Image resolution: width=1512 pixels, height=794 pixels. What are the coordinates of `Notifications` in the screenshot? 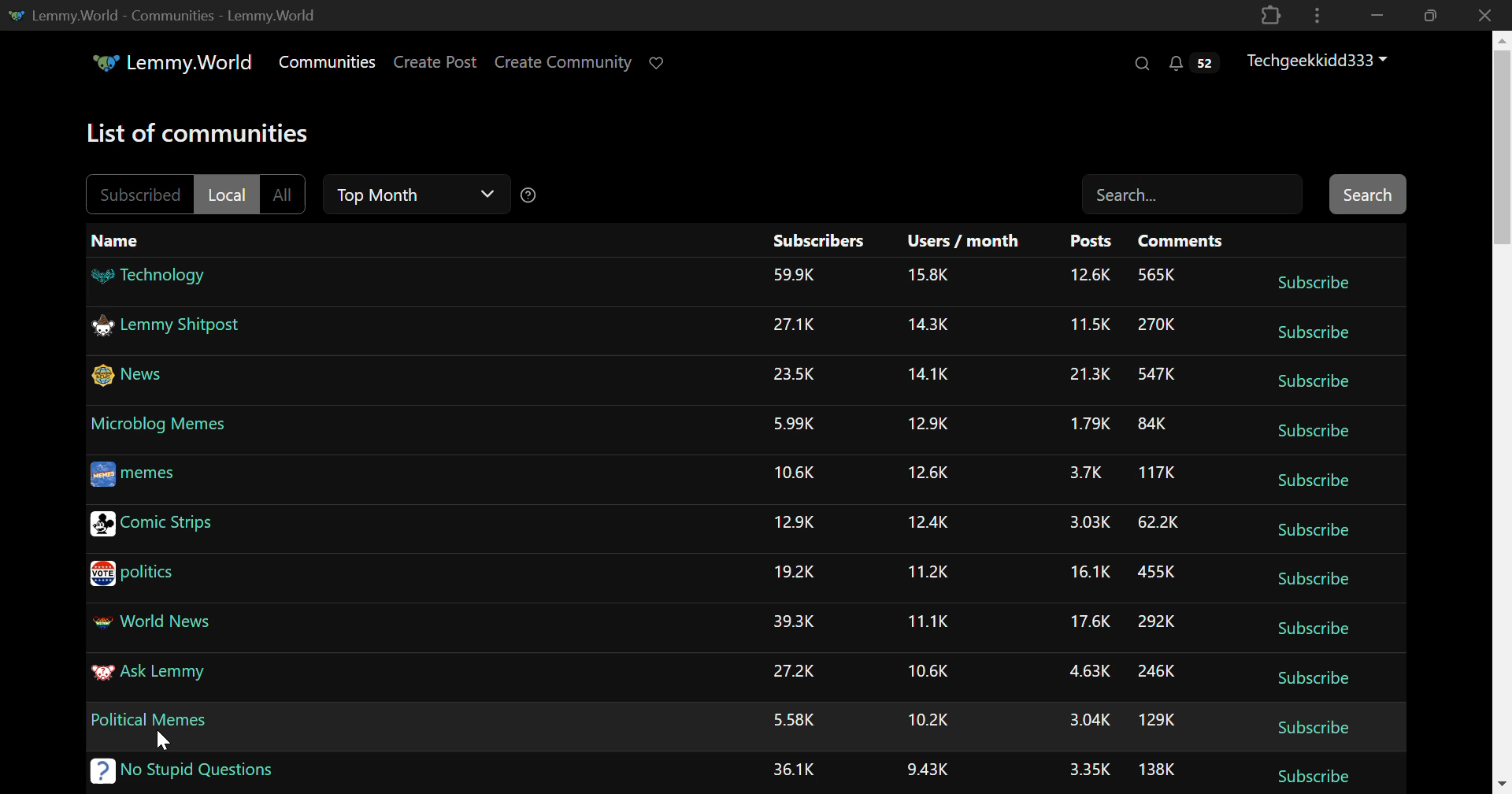 It's located at (1197, 65).